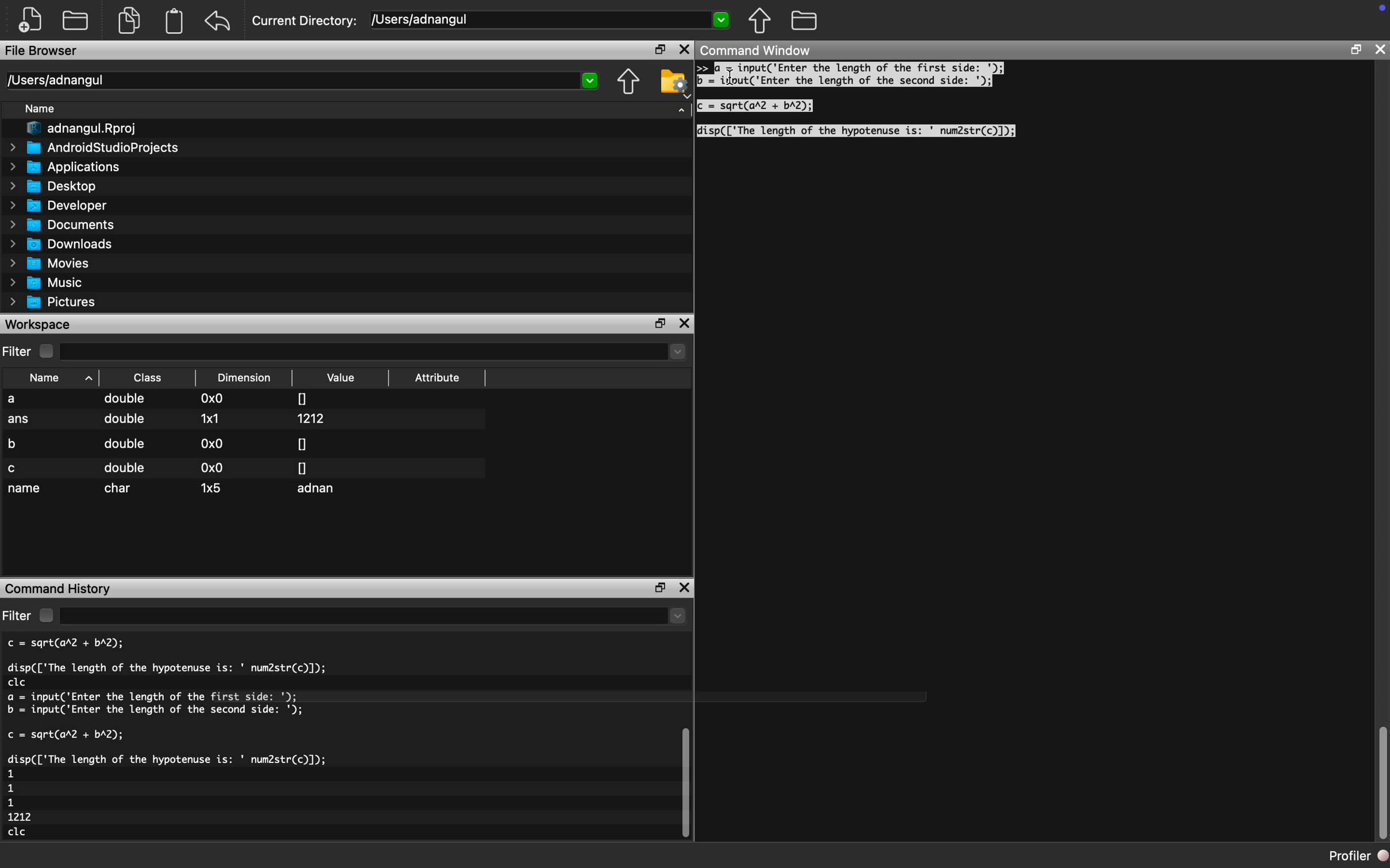  I want to click on b, so click(17, 442).